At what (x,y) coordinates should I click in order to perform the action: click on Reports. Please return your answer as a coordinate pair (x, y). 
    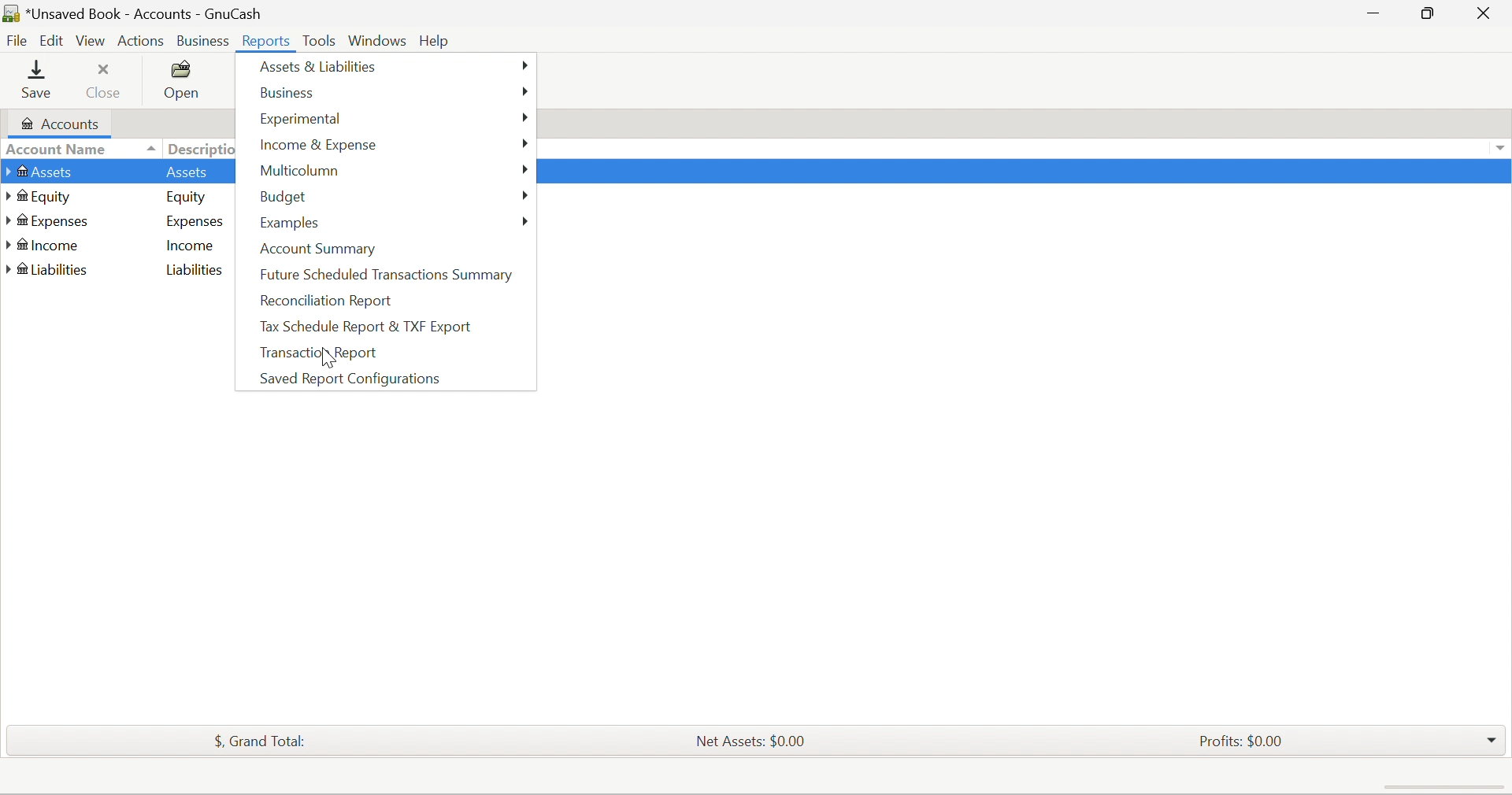
    Looking at the image, I should click on (268, 40).